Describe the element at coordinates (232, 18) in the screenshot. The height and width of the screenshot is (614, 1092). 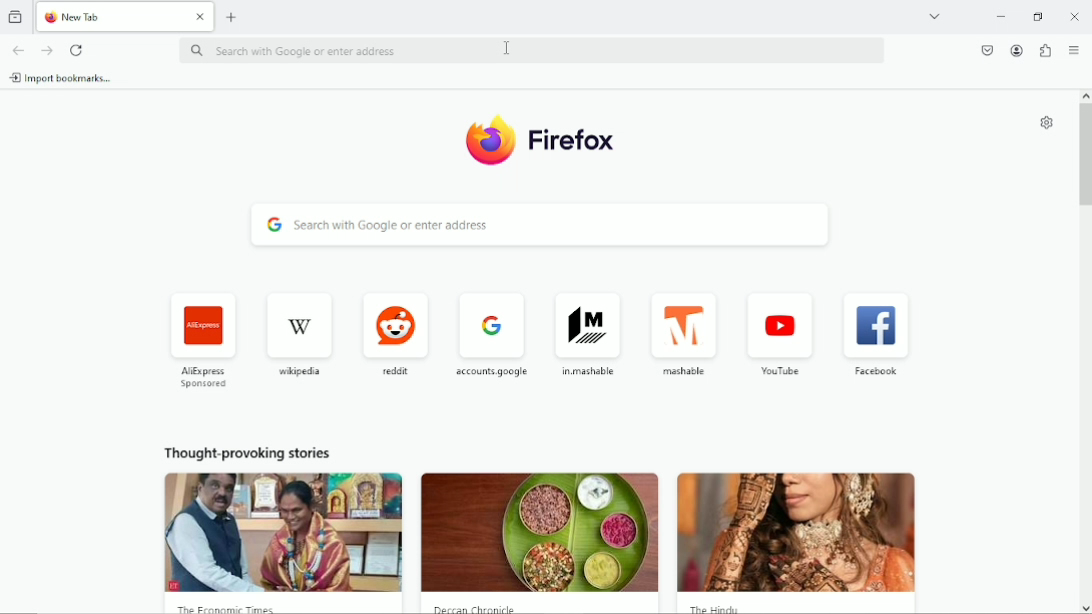
I see `add tab` at that location.